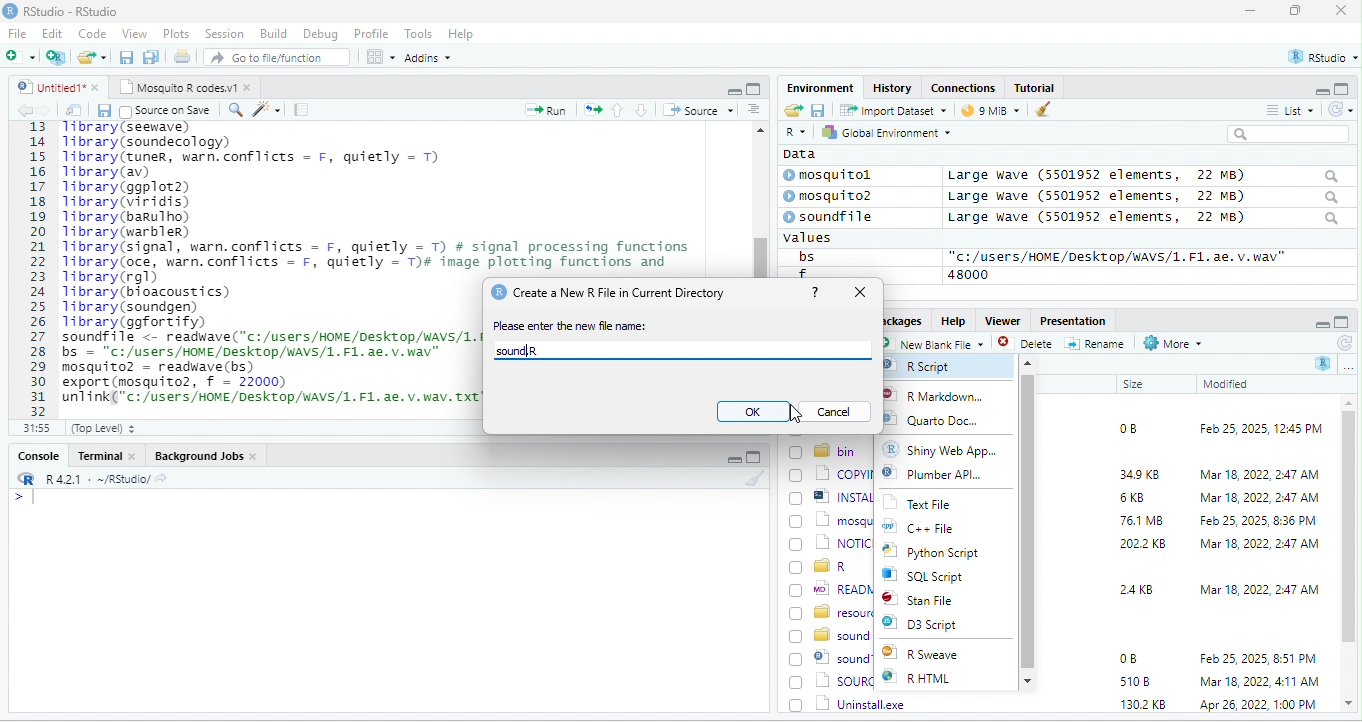 The width and height of the screenshot is (1362, 722). I want to click on Feb 25, 2025, 8:36 PM, so click(1254, 520).